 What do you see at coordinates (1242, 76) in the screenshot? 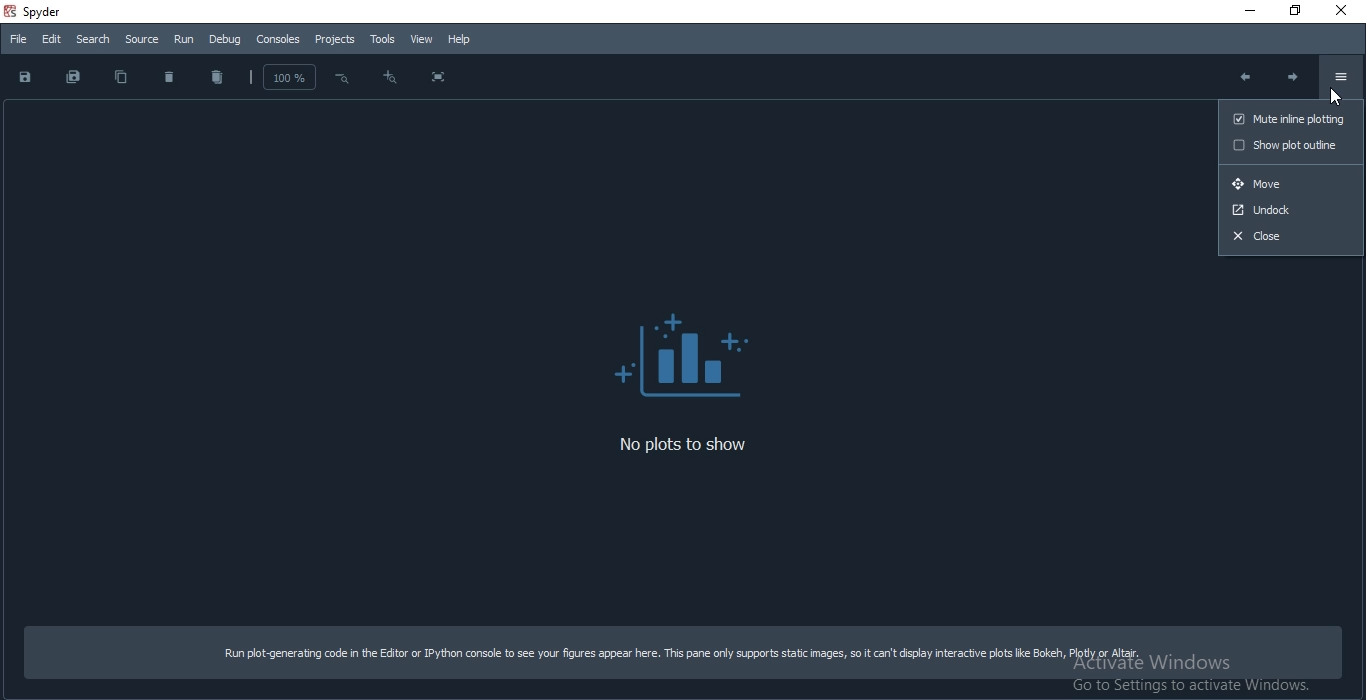
I see `Previous plot` at bounding box center [1242, 76].